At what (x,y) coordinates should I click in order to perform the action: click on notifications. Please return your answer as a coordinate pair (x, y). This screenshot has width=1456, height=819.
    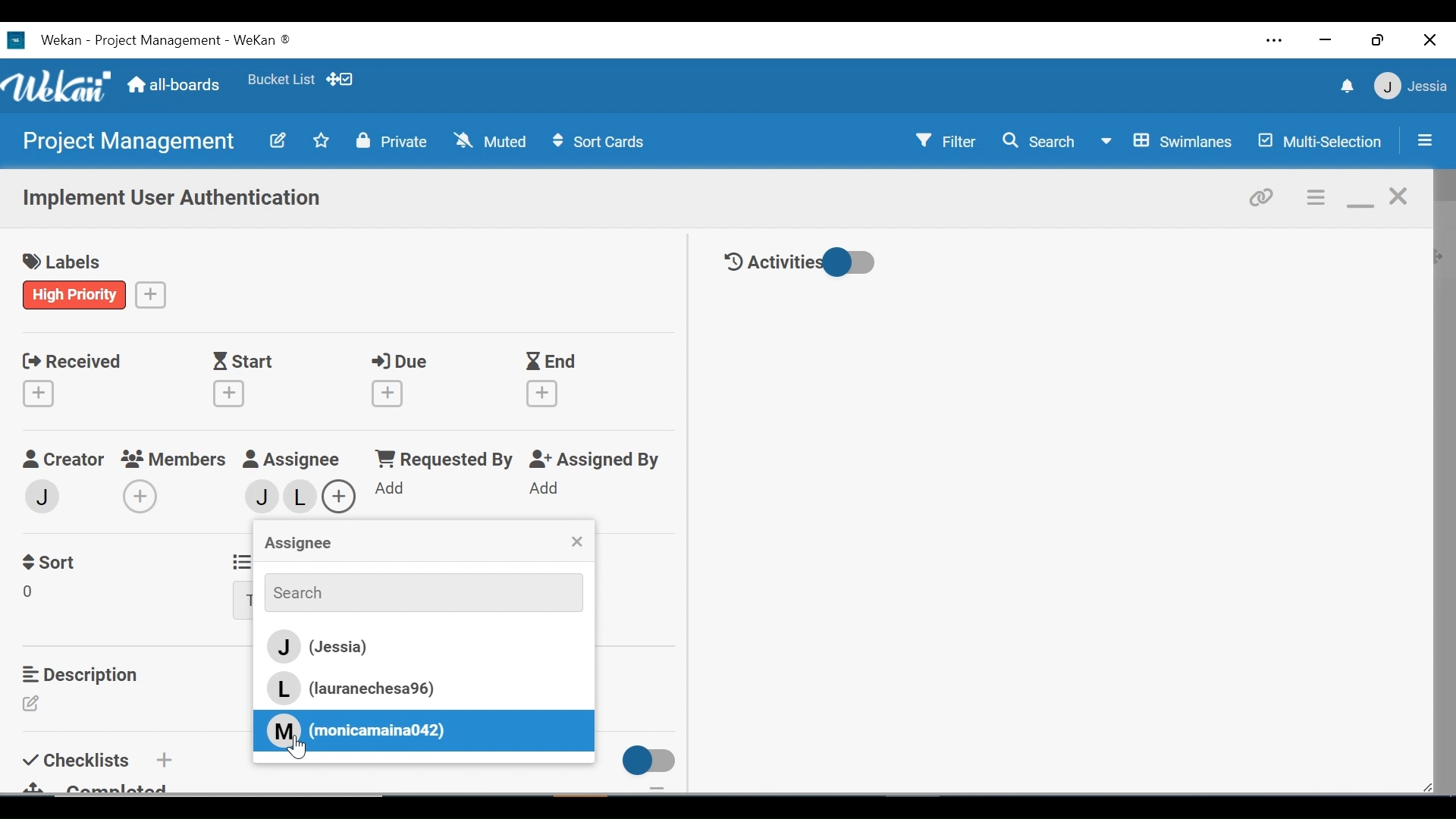
    Looking at the image, I should click on (1345, 86).